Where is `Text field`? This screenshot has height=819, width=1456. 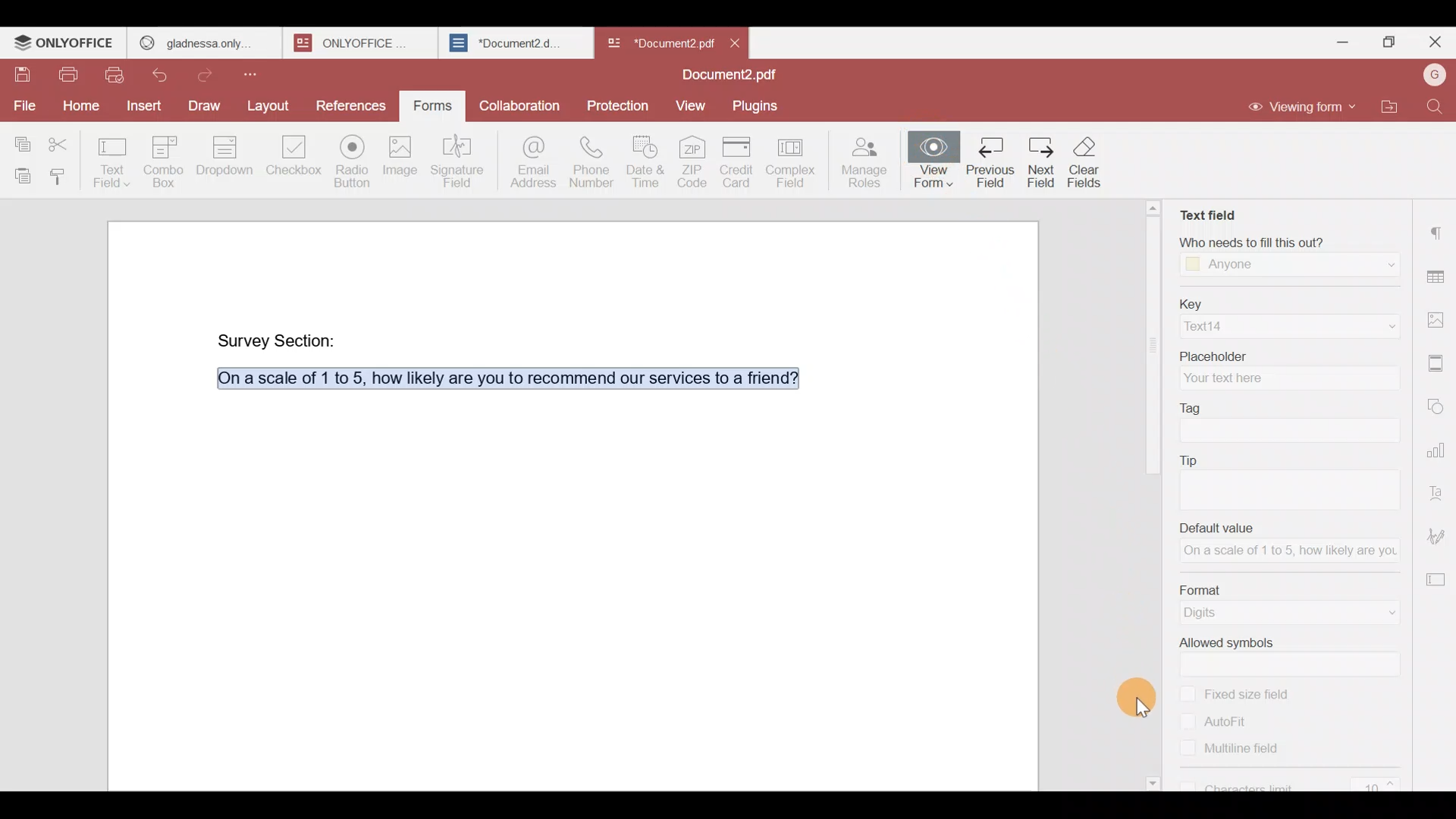 Text field is located at coordinates (112, 158).